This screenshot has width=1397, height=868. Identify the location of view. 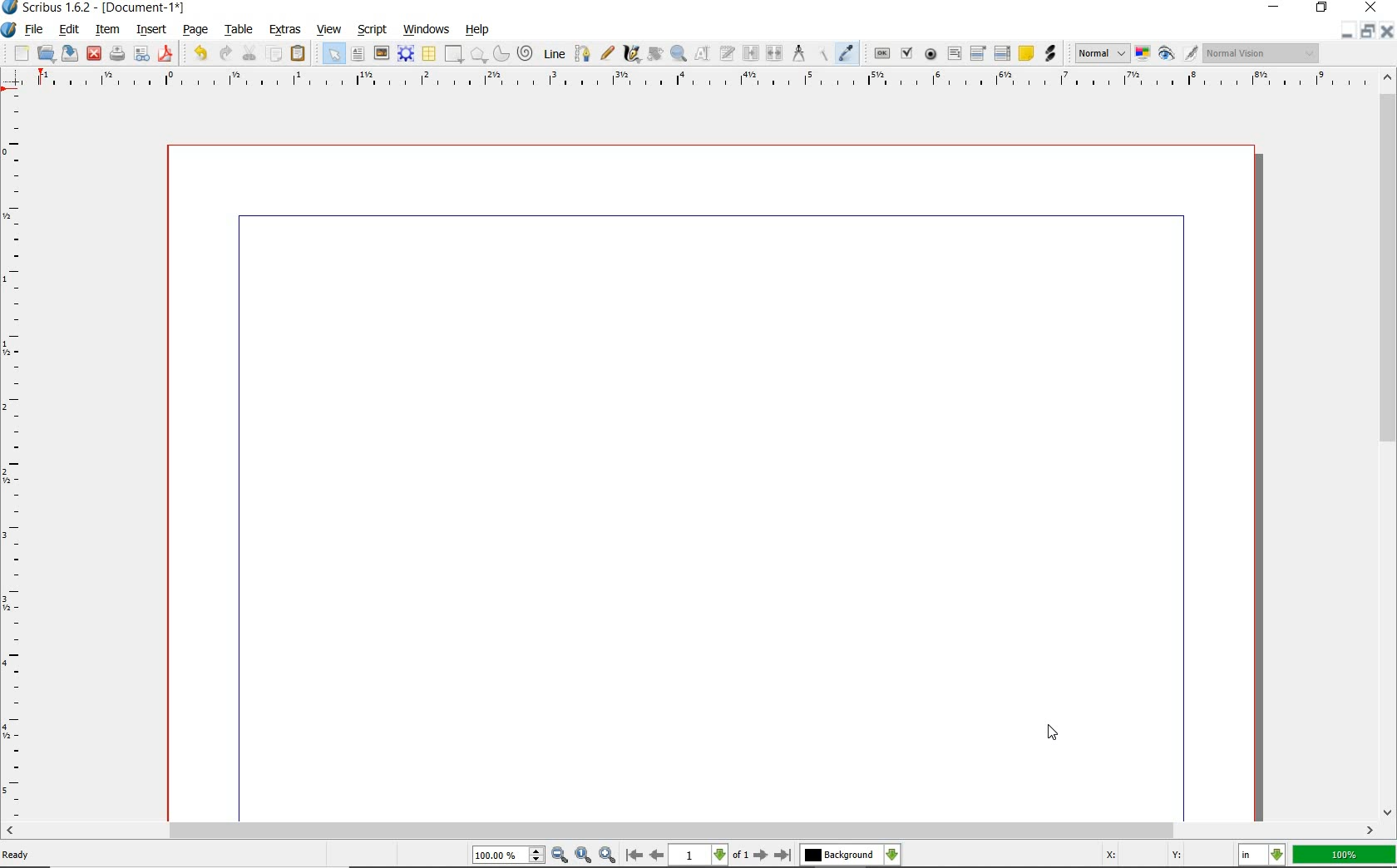
(330, 30).